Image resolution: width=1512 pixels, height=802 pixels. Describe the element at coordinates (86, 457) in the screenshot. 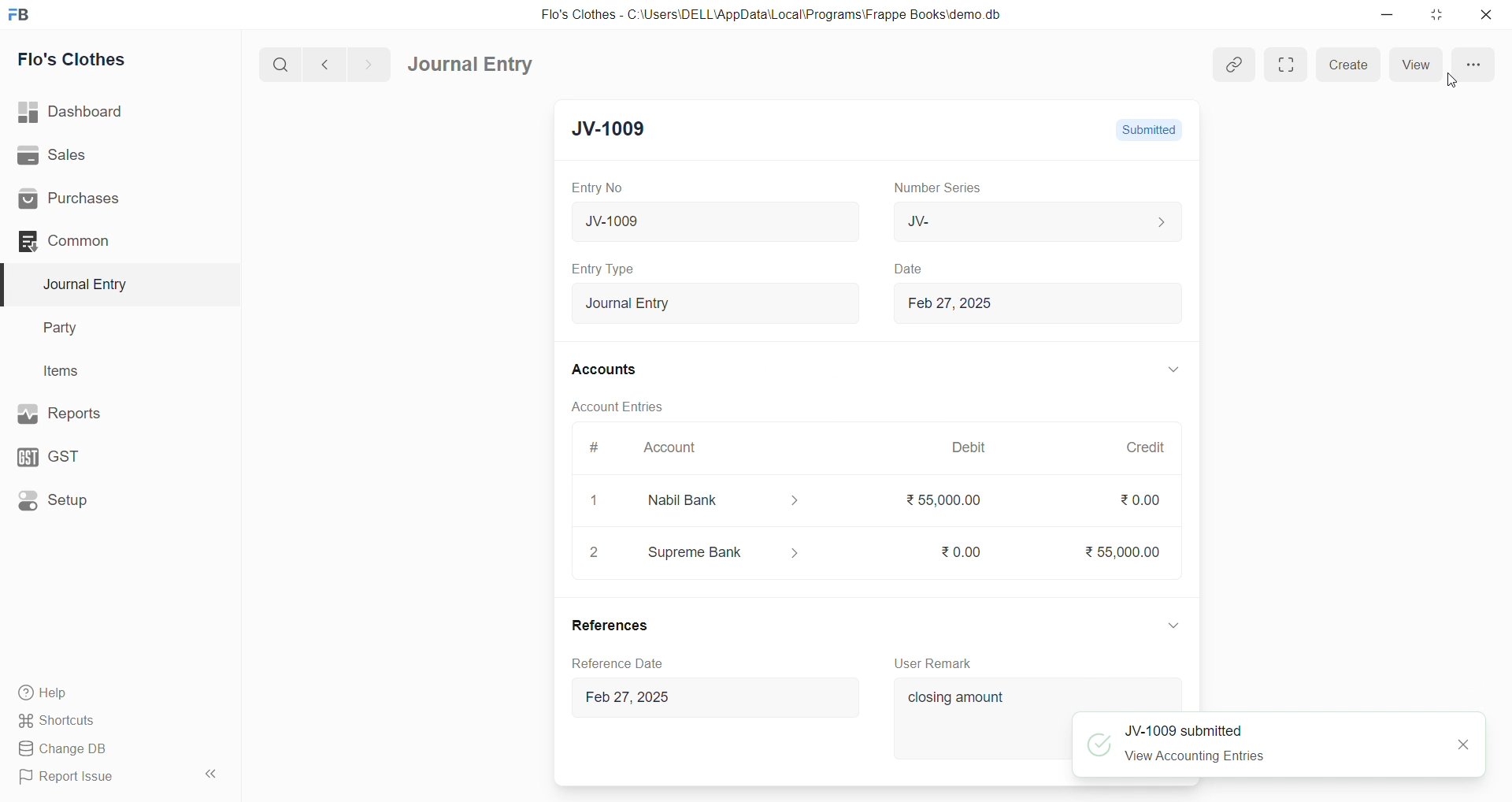

I see `GST` at that location.